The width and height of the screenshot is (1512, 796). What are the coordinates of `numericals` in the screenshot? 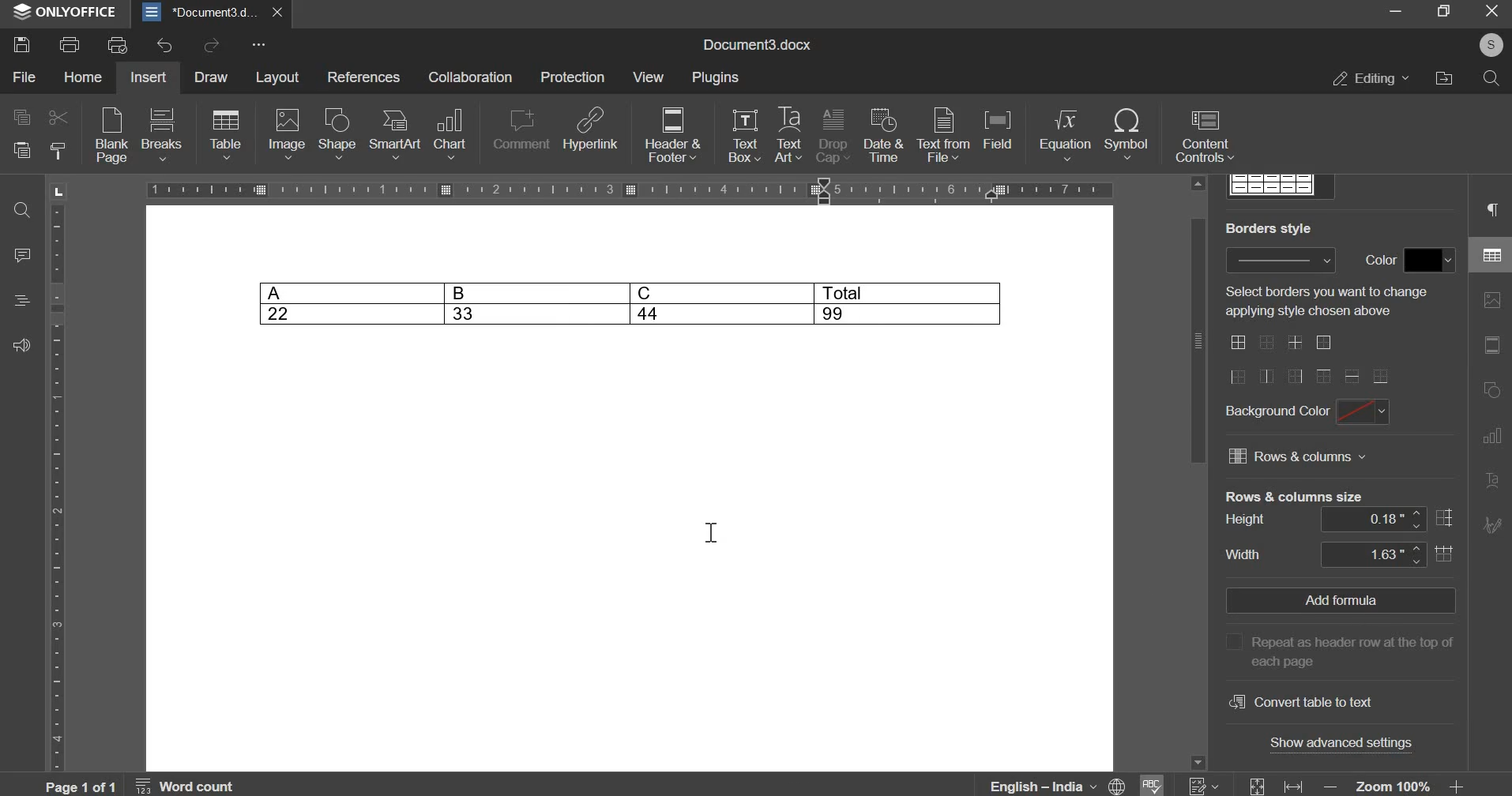 It's located at (1203, 785).